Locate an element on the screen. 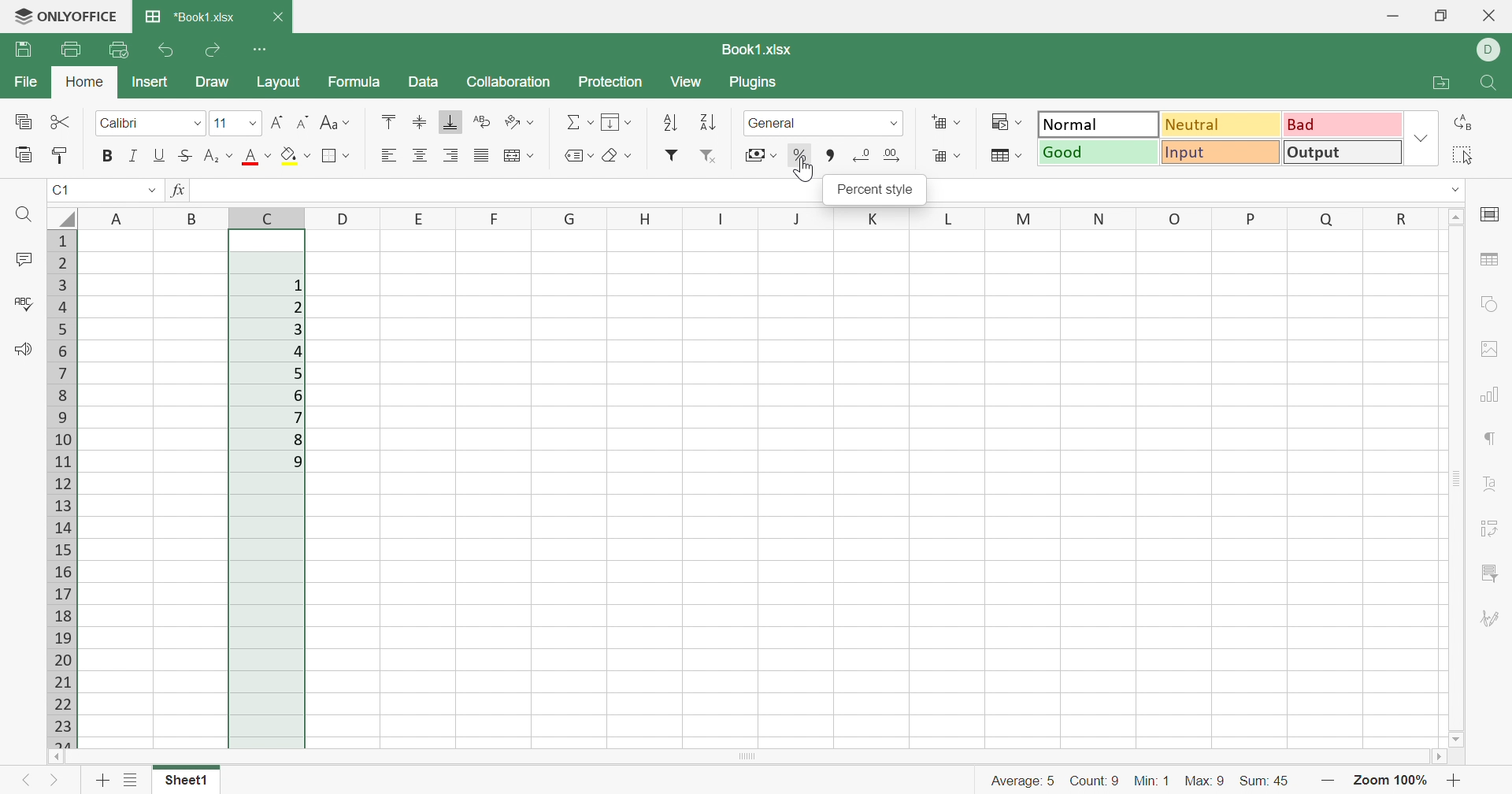  Feedback & Support is located at coordinates (21, 351).